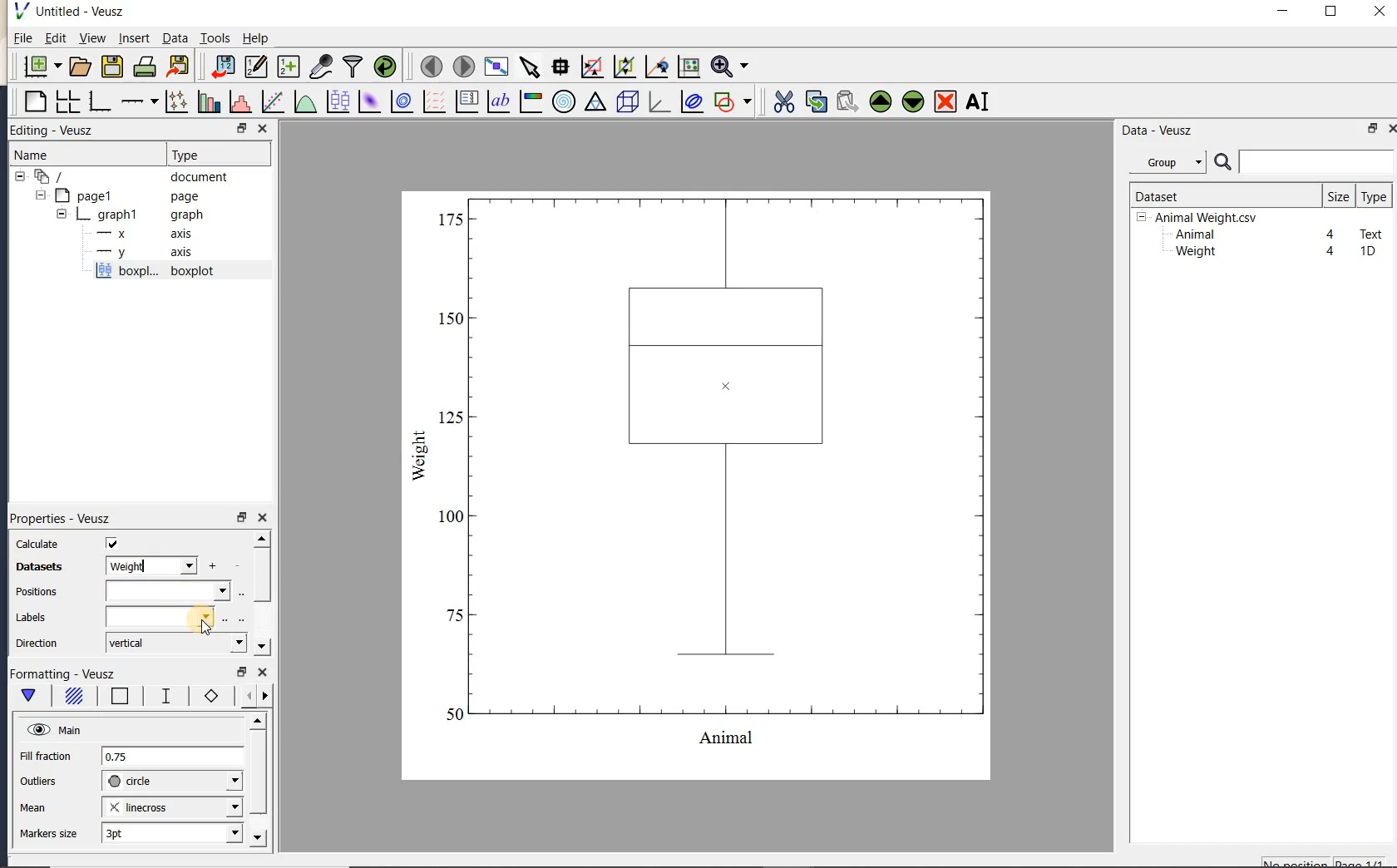 This screenshot has height=868, width=1397. What do you see at coordinates (531, 67) in the screenshot?
I see `select items from the graph or scroll` at bounding box center [531, 67].